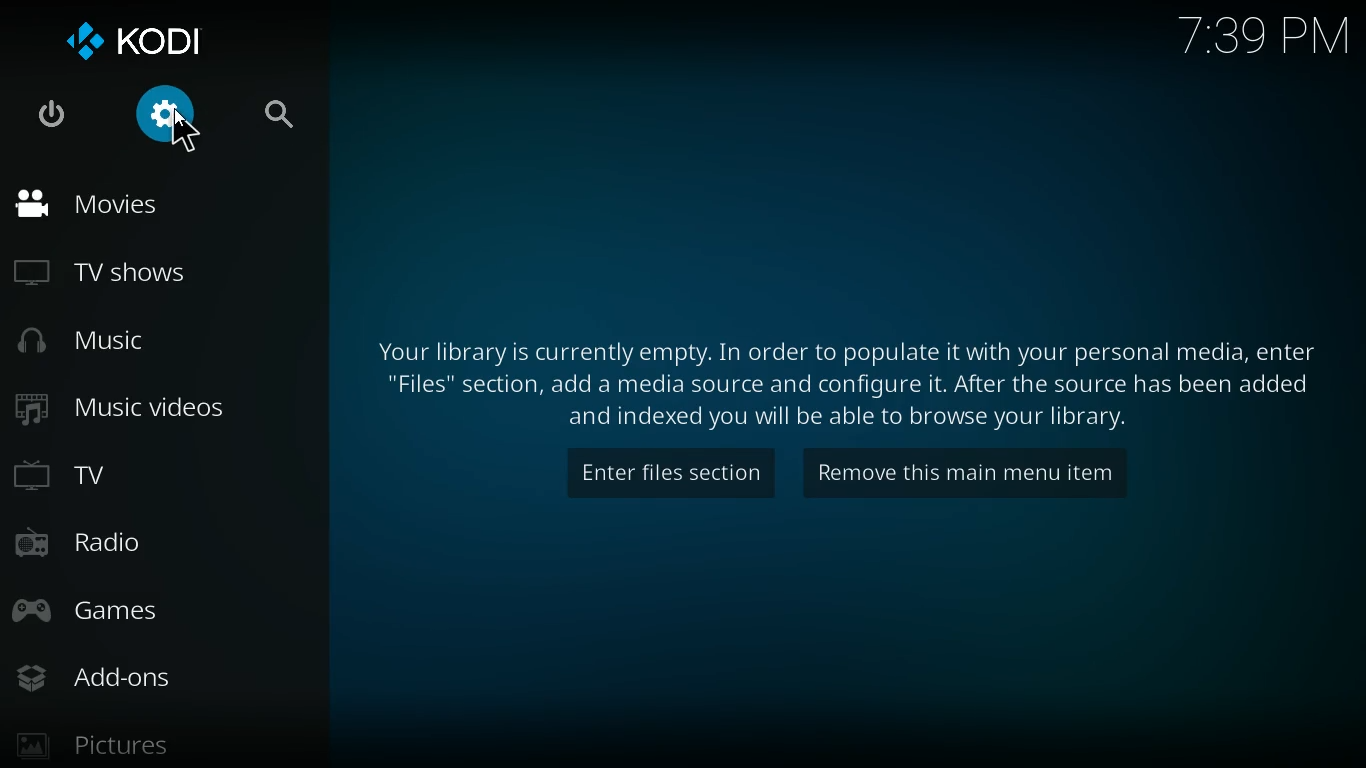 Image resolution: width=1366 pixels, height=768 pixels. Describe the element at coordinates (984, 473) in the screenshot. I see `remove this main menu item` at that location.